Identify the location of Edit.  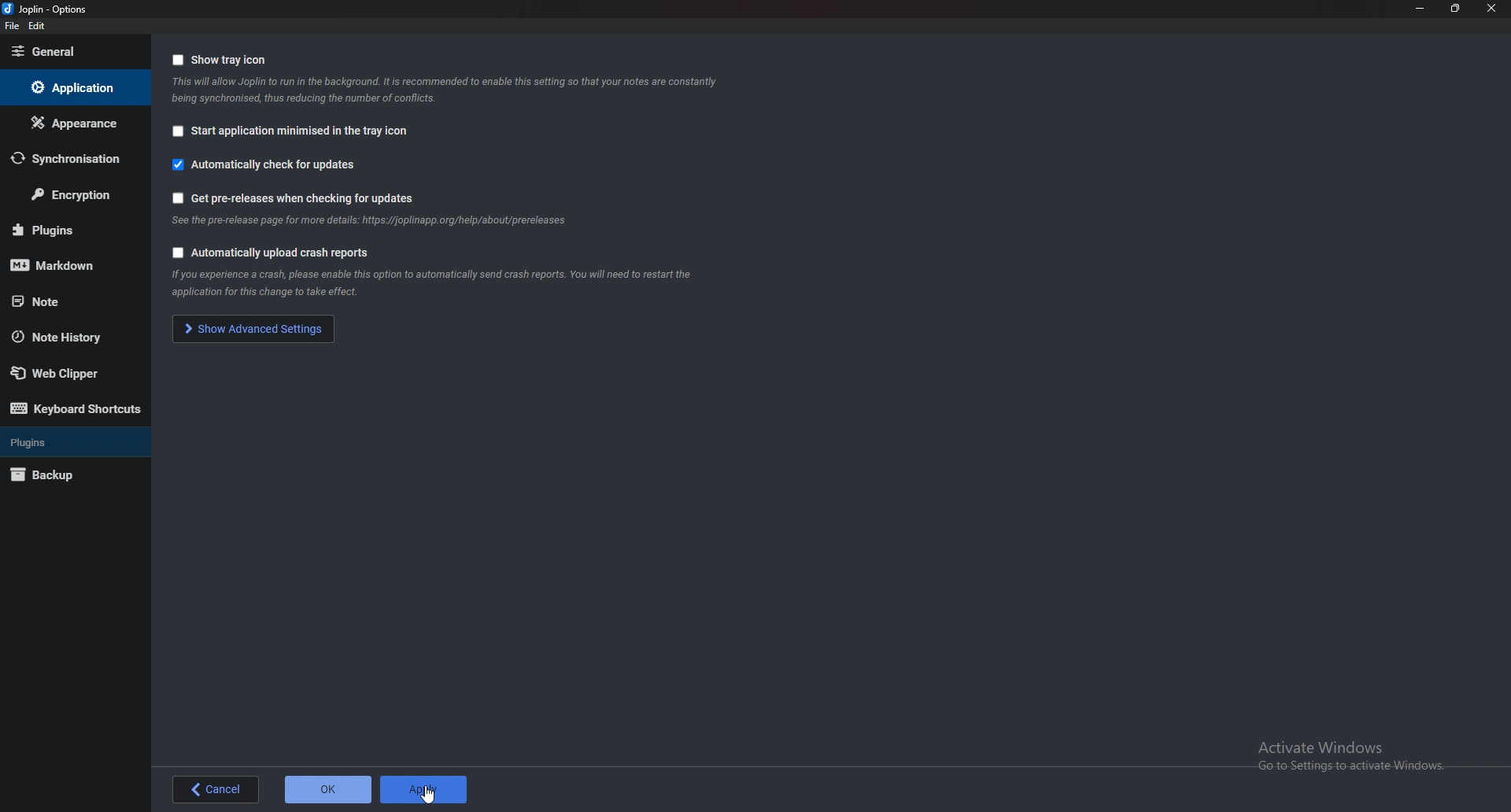
(39, 27).